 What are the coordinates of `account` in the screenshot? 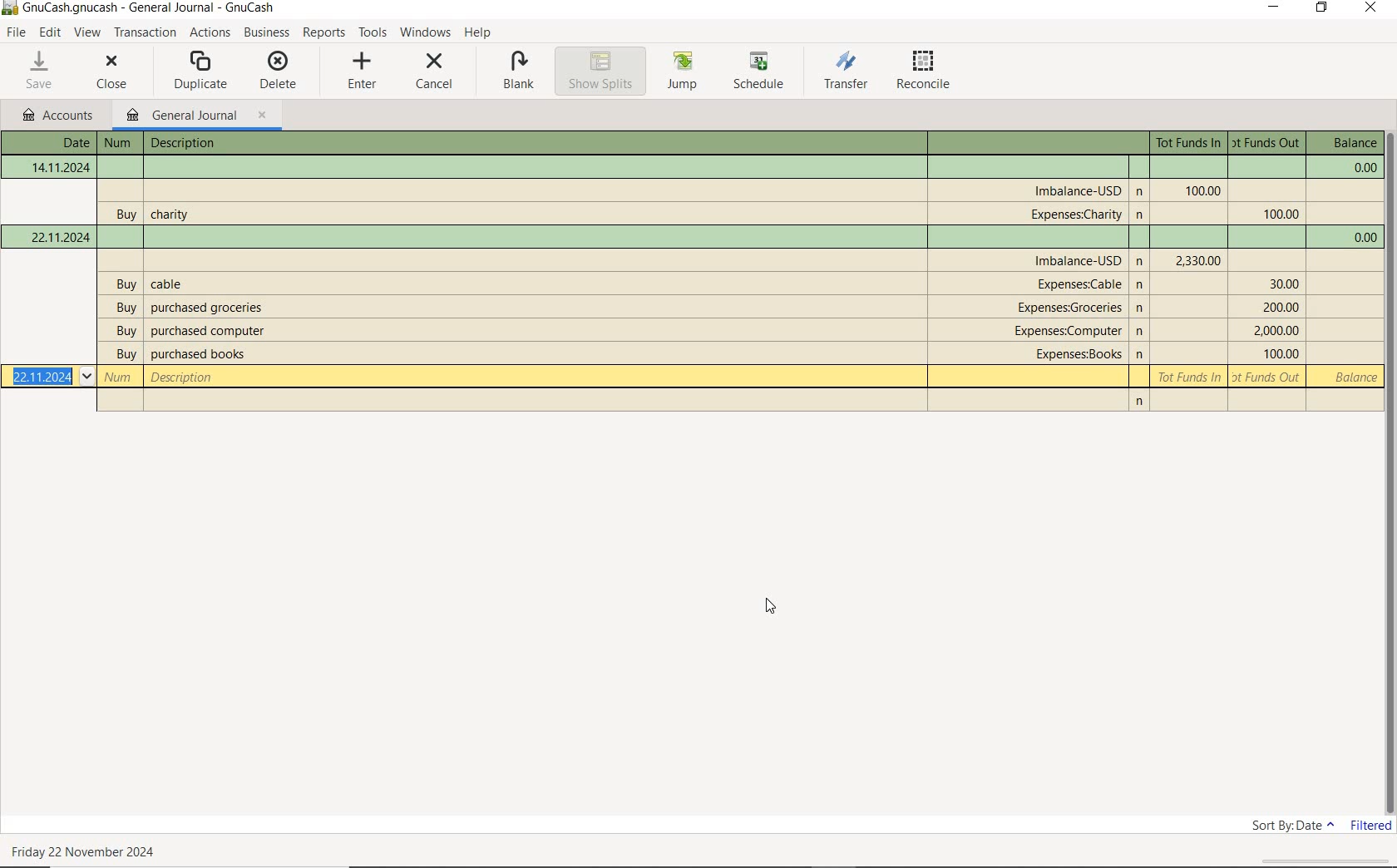 It's located at (1080, 284).